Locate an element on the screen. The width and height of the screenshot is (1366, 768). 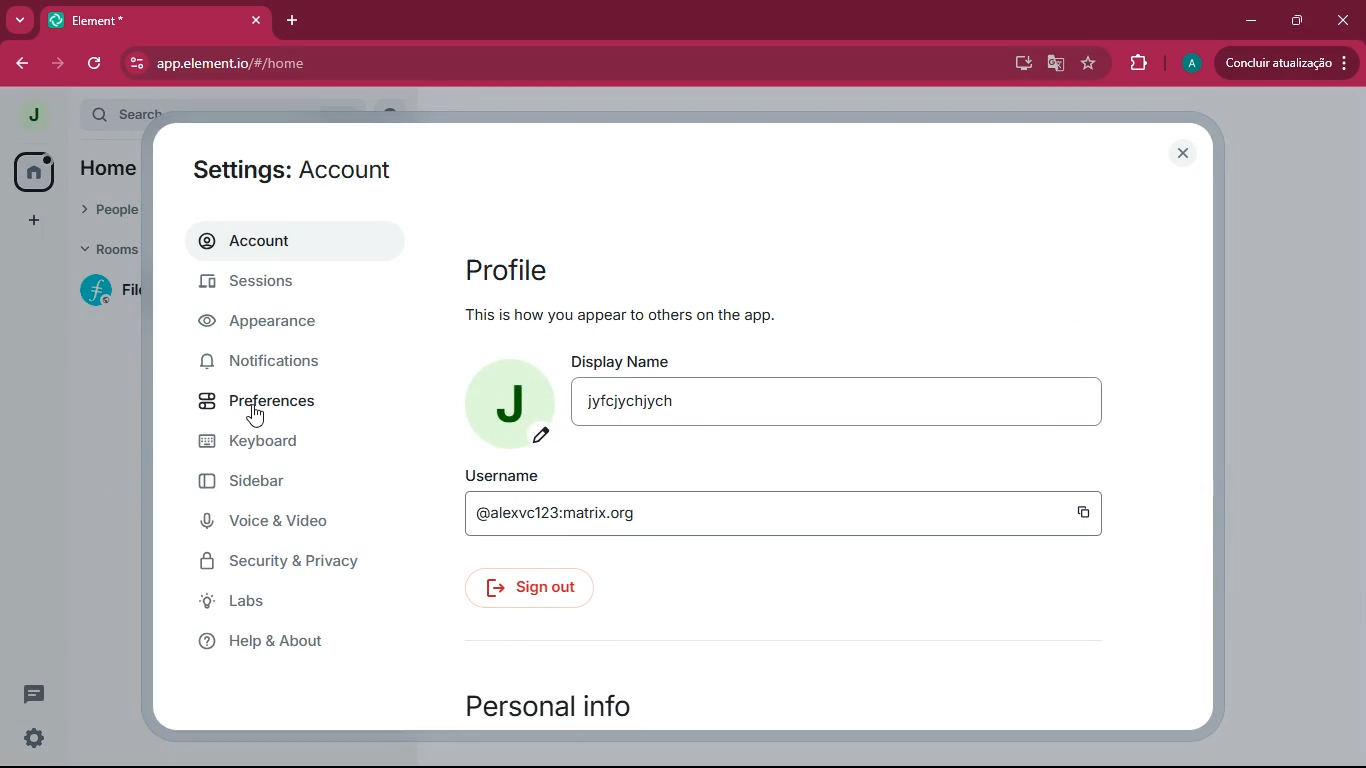
keyboard is located at coordinates (262, 443).